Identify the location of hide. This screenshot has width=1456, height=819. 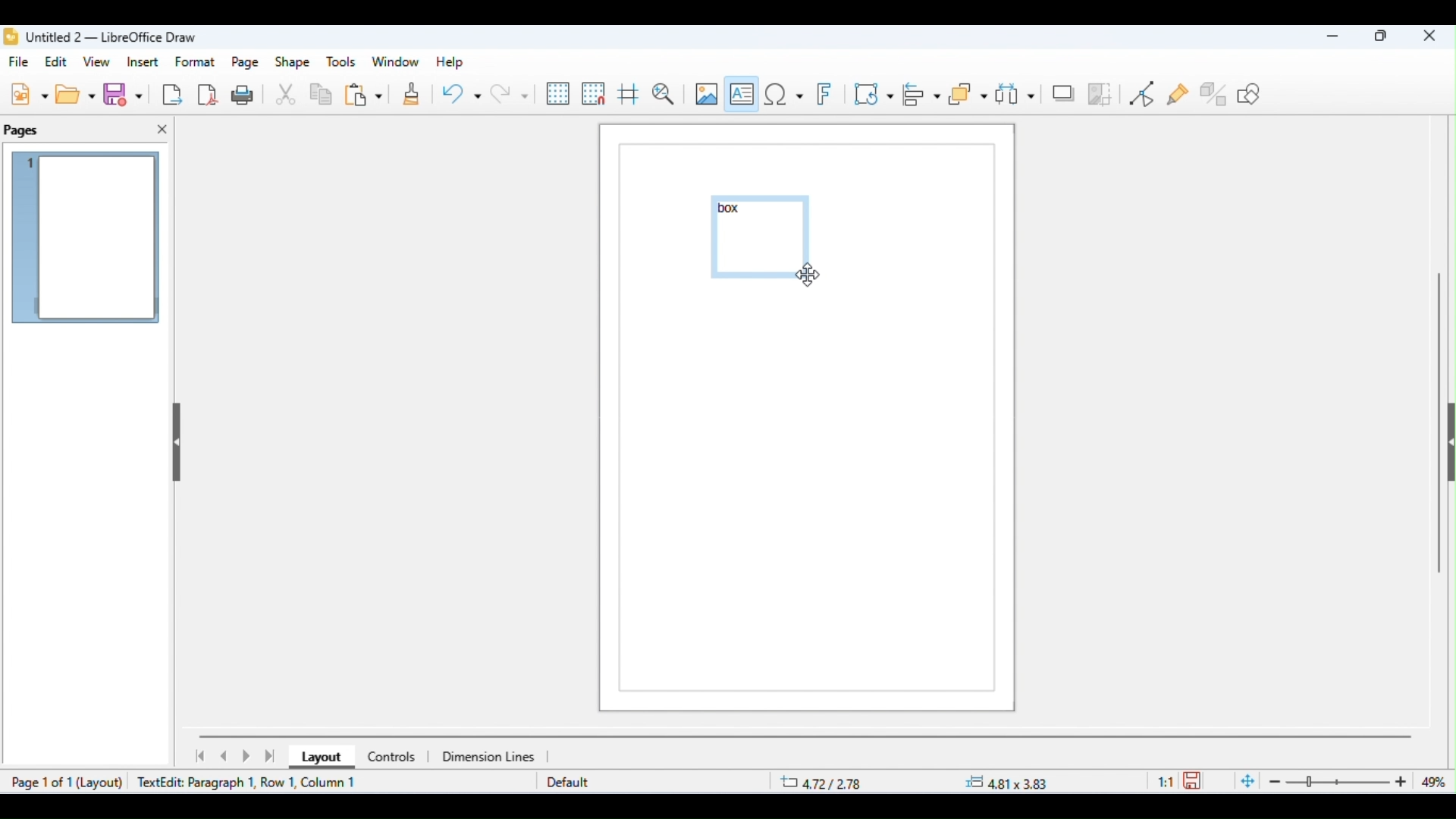
(1447, 446).